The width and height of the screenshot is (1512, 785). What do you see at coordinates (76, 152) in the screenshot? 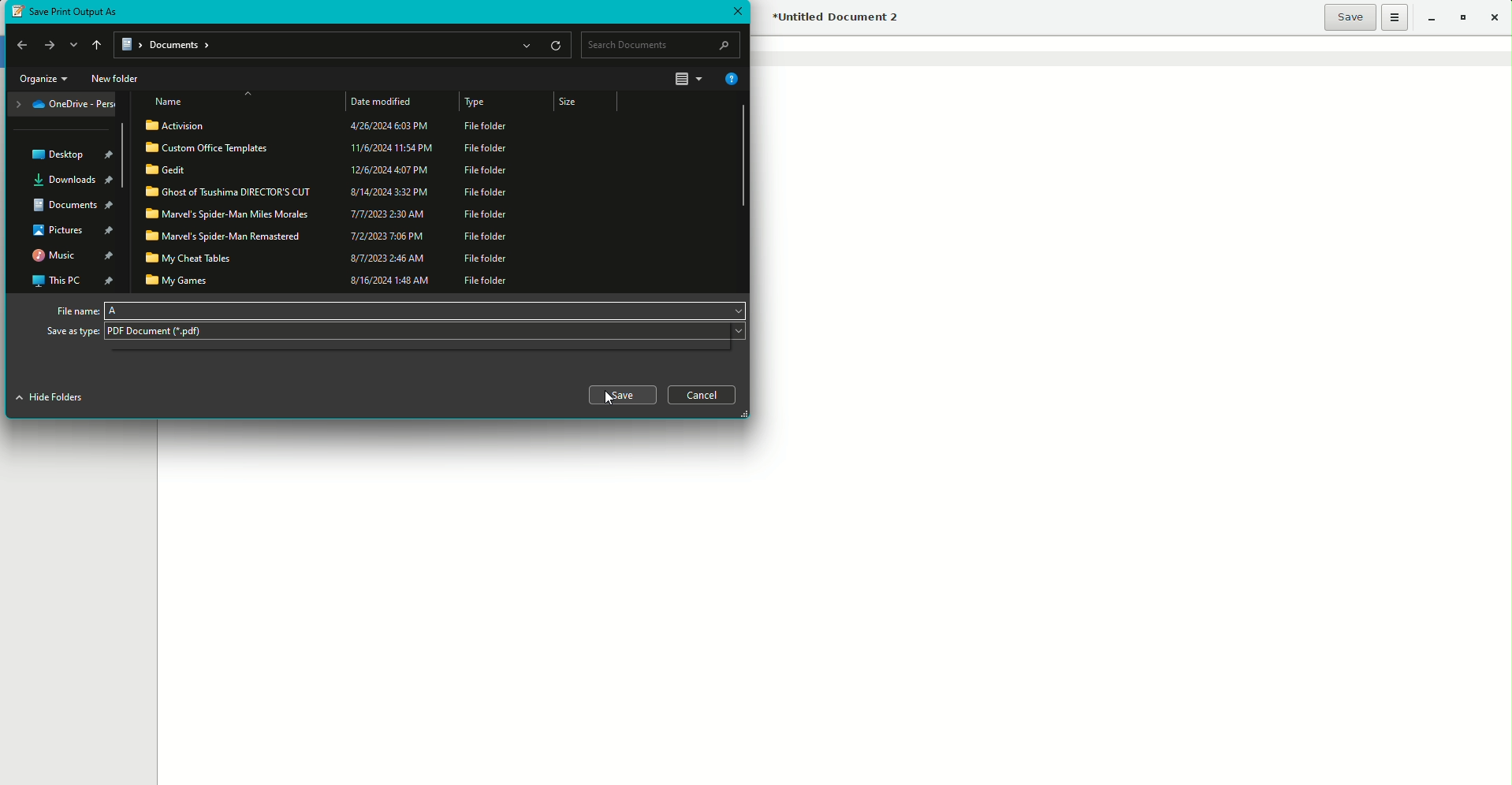
I see `Desktop` at bounding box center [76, 152].